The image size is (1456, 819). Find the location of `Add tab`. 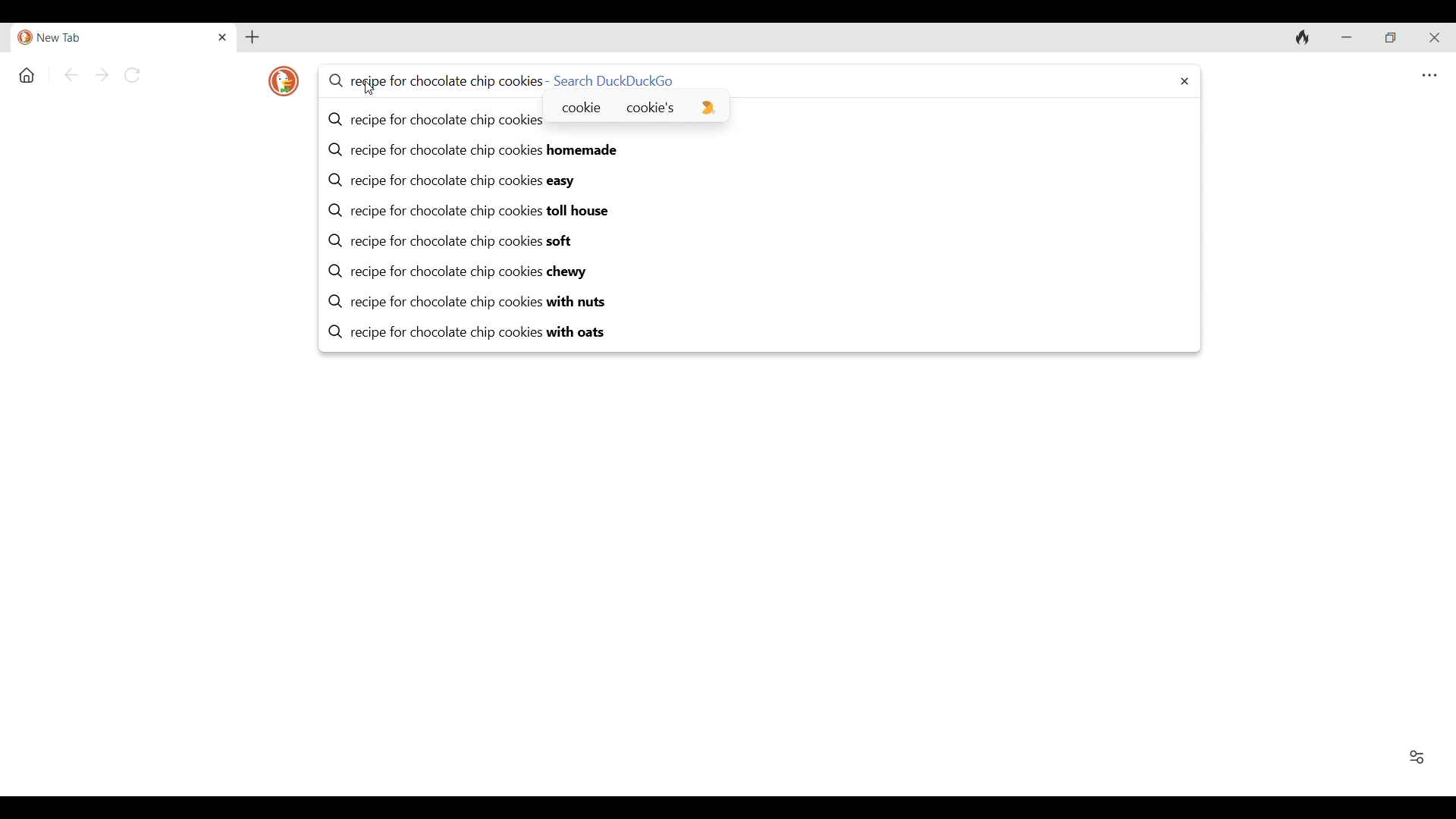

Add tab is located at coordinates (253, 37).